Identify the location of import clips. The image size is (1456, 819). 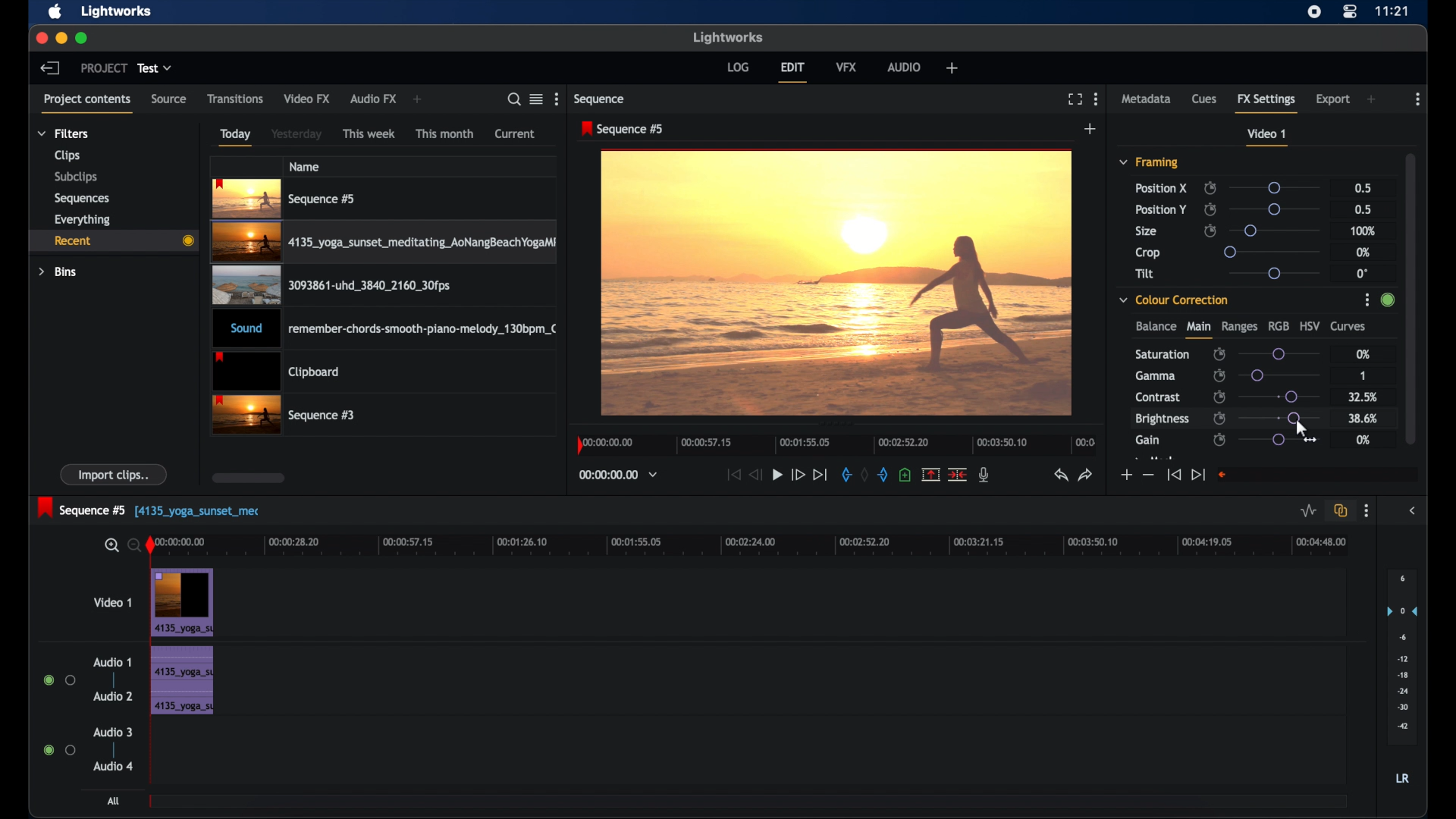
(115, 474).